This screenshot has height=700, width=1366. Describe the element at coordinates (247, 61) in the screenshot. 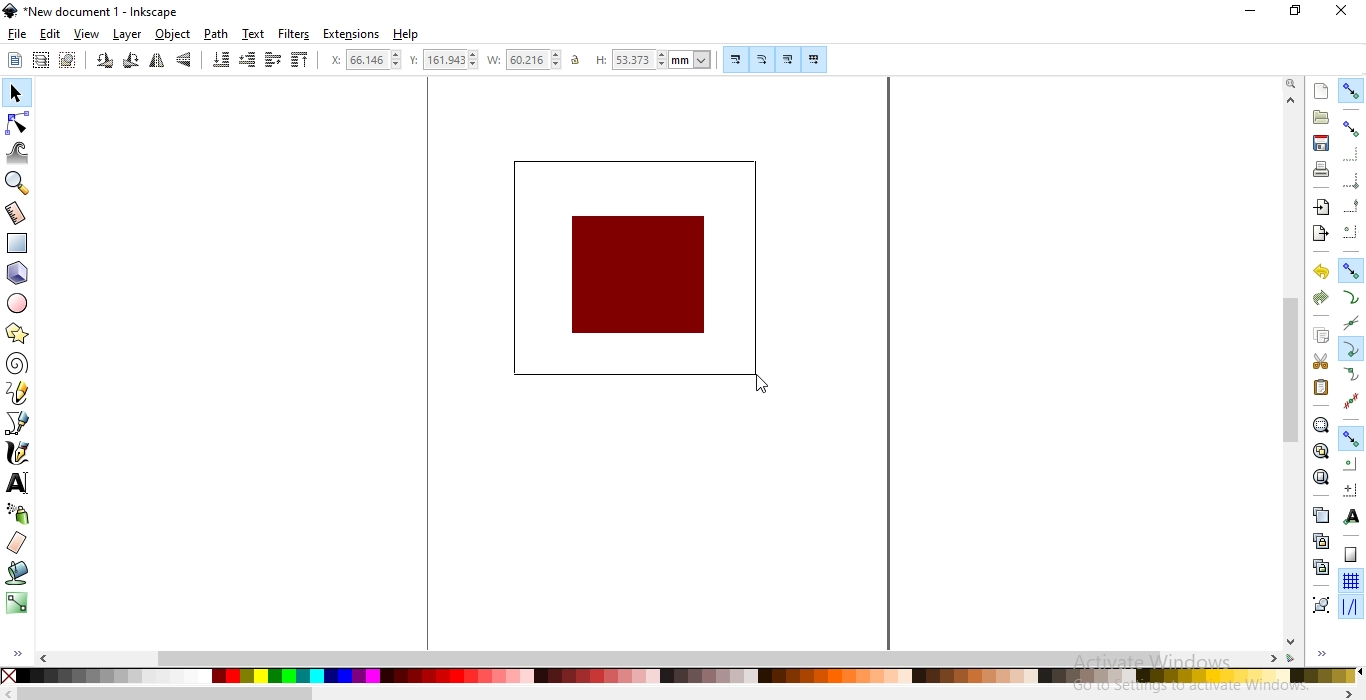

I see `lower selection one step` at that location.